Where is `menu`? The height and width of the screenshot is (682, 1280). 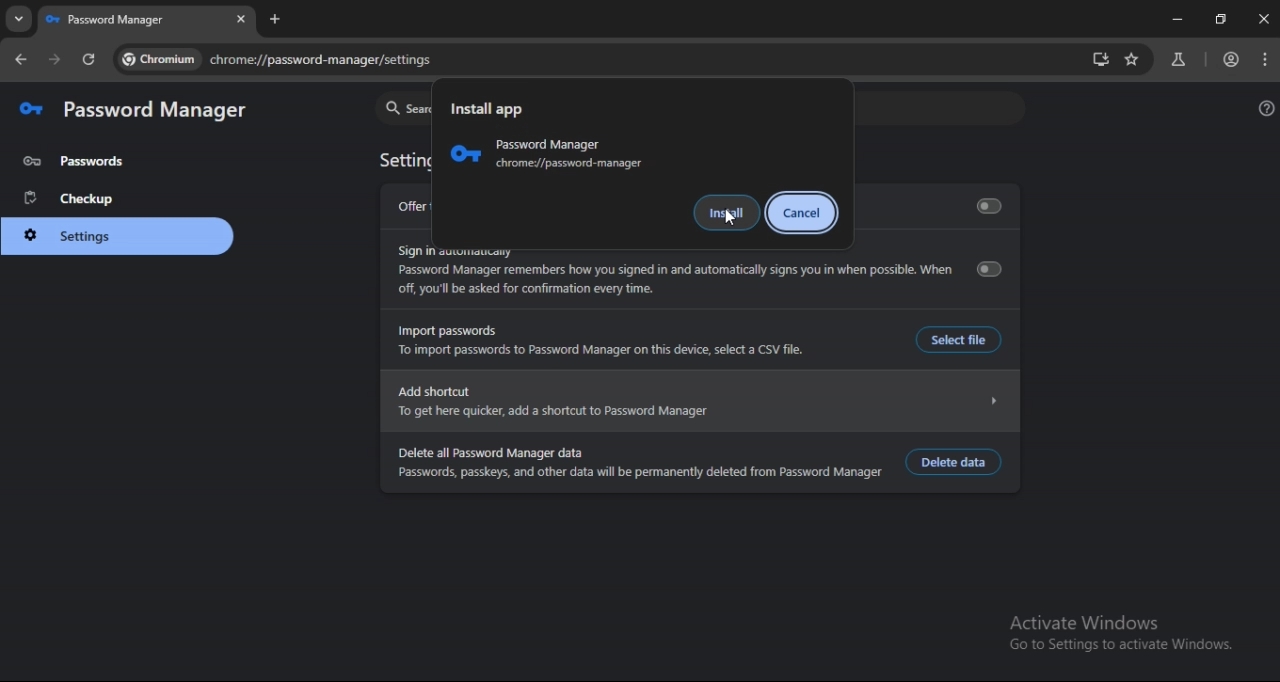
menu is located at coordinates (1266, 60).